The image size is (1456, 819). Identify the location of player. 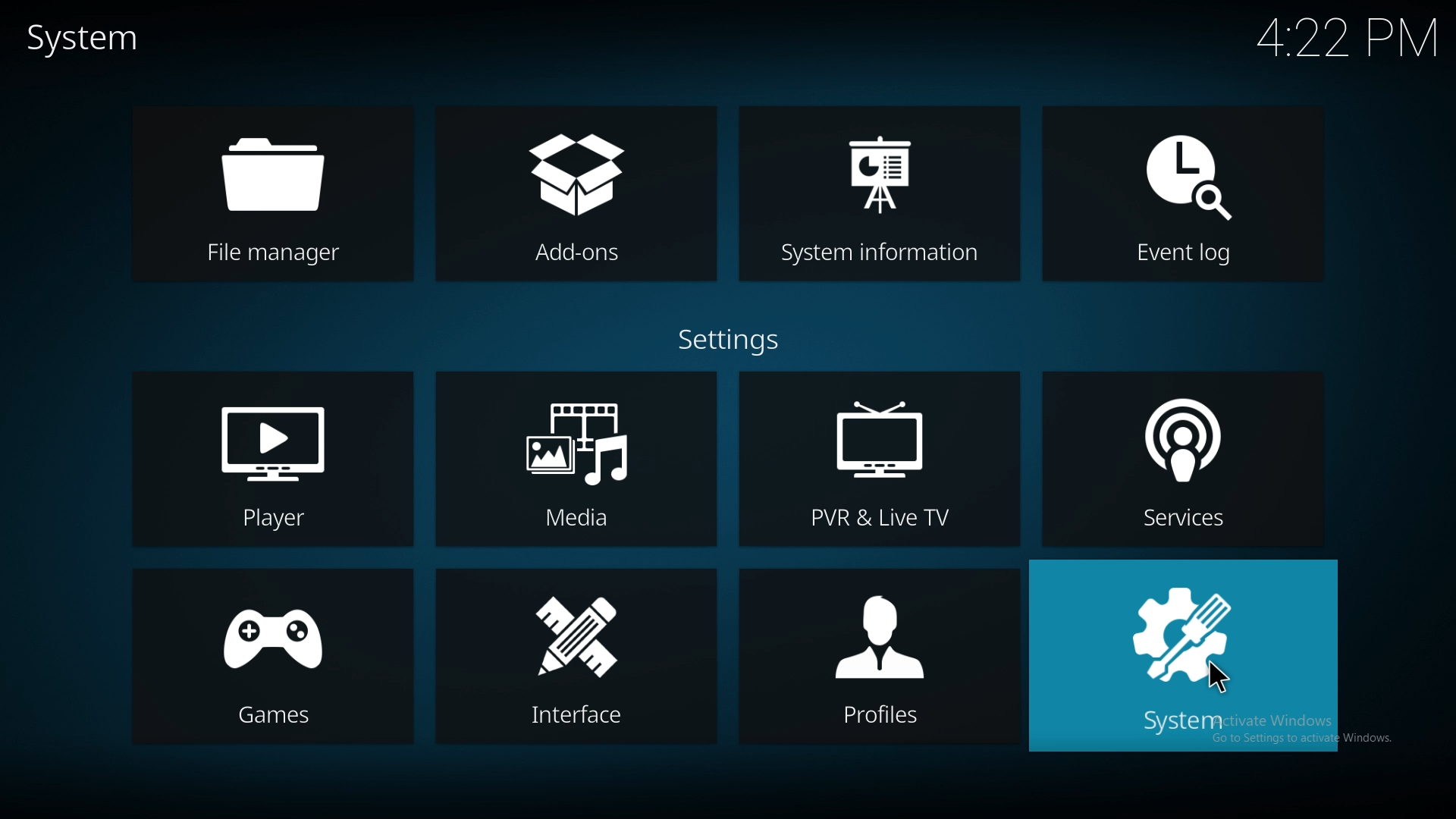
(273, 460).